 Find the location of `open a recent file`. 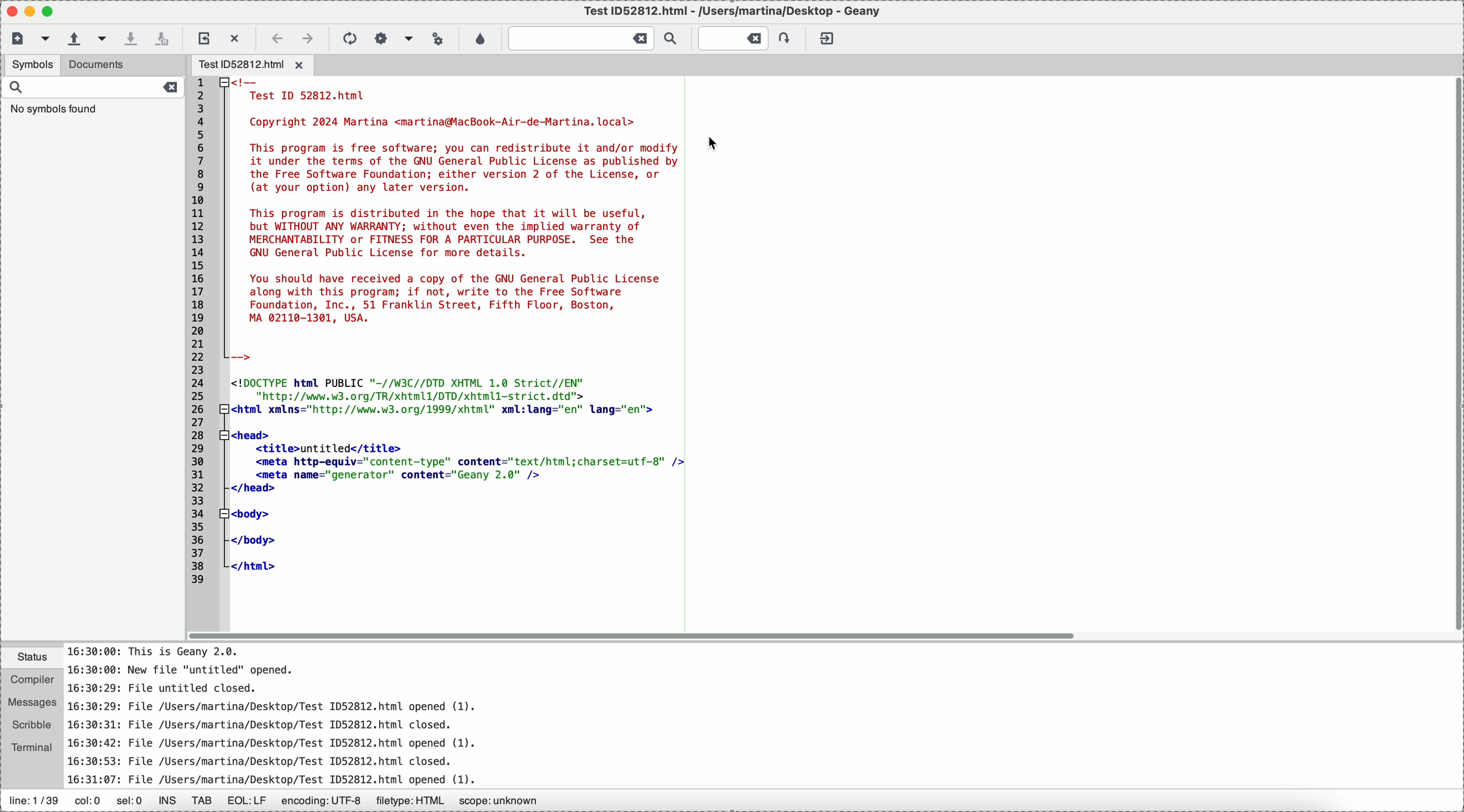

open a recent file is located at coordinates (109, 39).